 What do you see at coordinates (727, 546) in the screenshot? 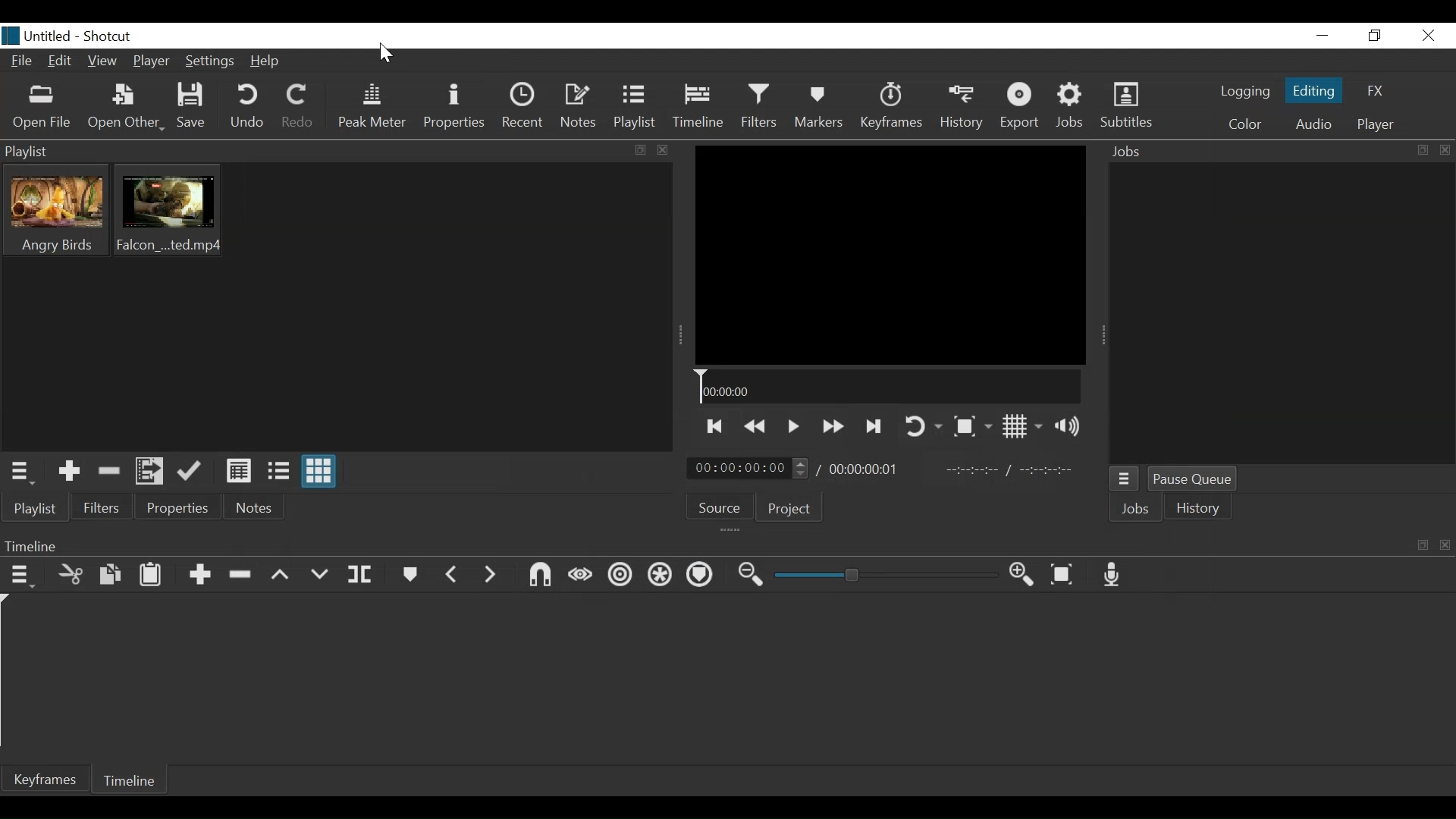
I see `Timeline Panel` at bounding box center [727, 546].